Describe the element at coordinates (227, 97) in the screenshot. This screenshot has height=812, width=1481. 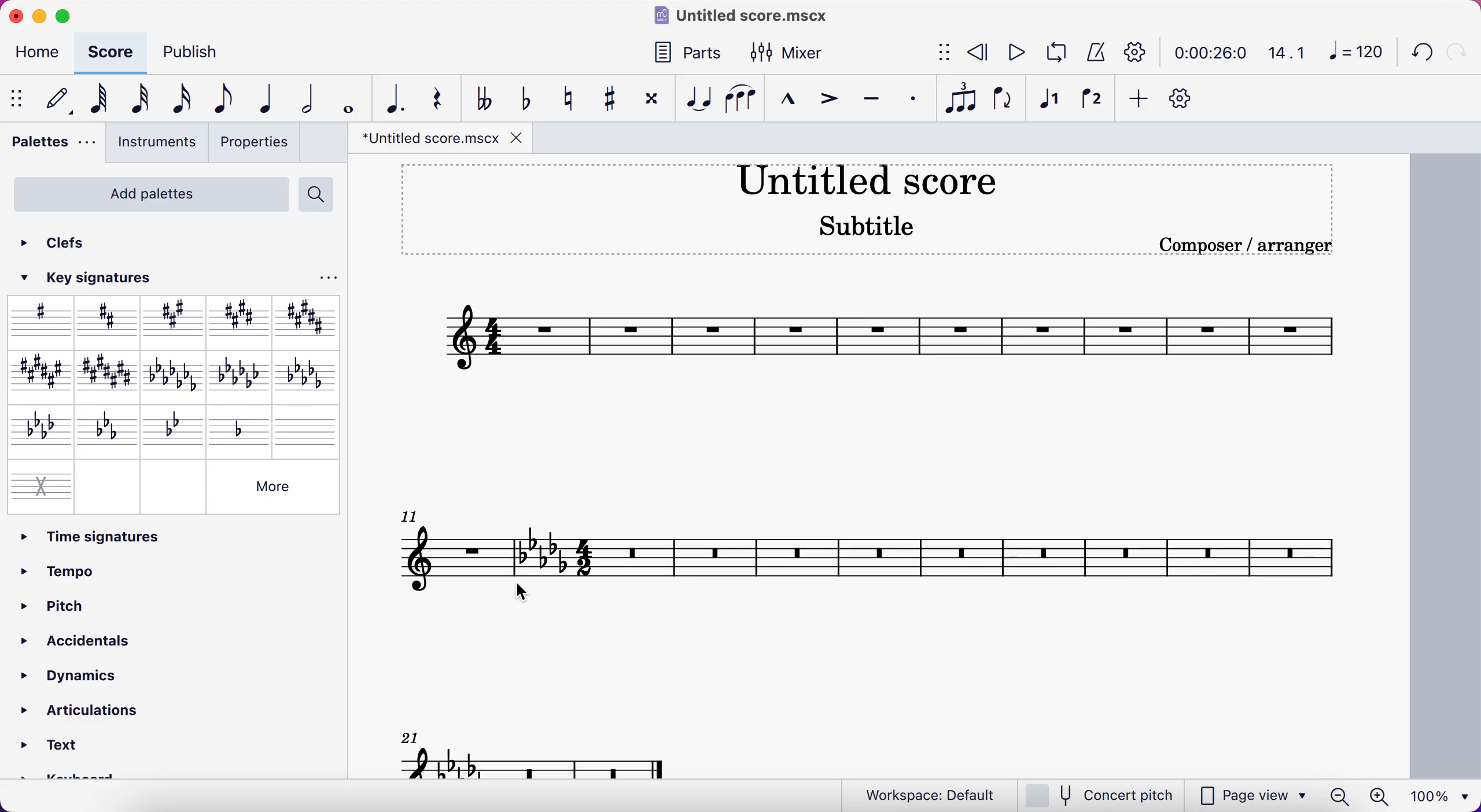
I see `eight note` at that location.